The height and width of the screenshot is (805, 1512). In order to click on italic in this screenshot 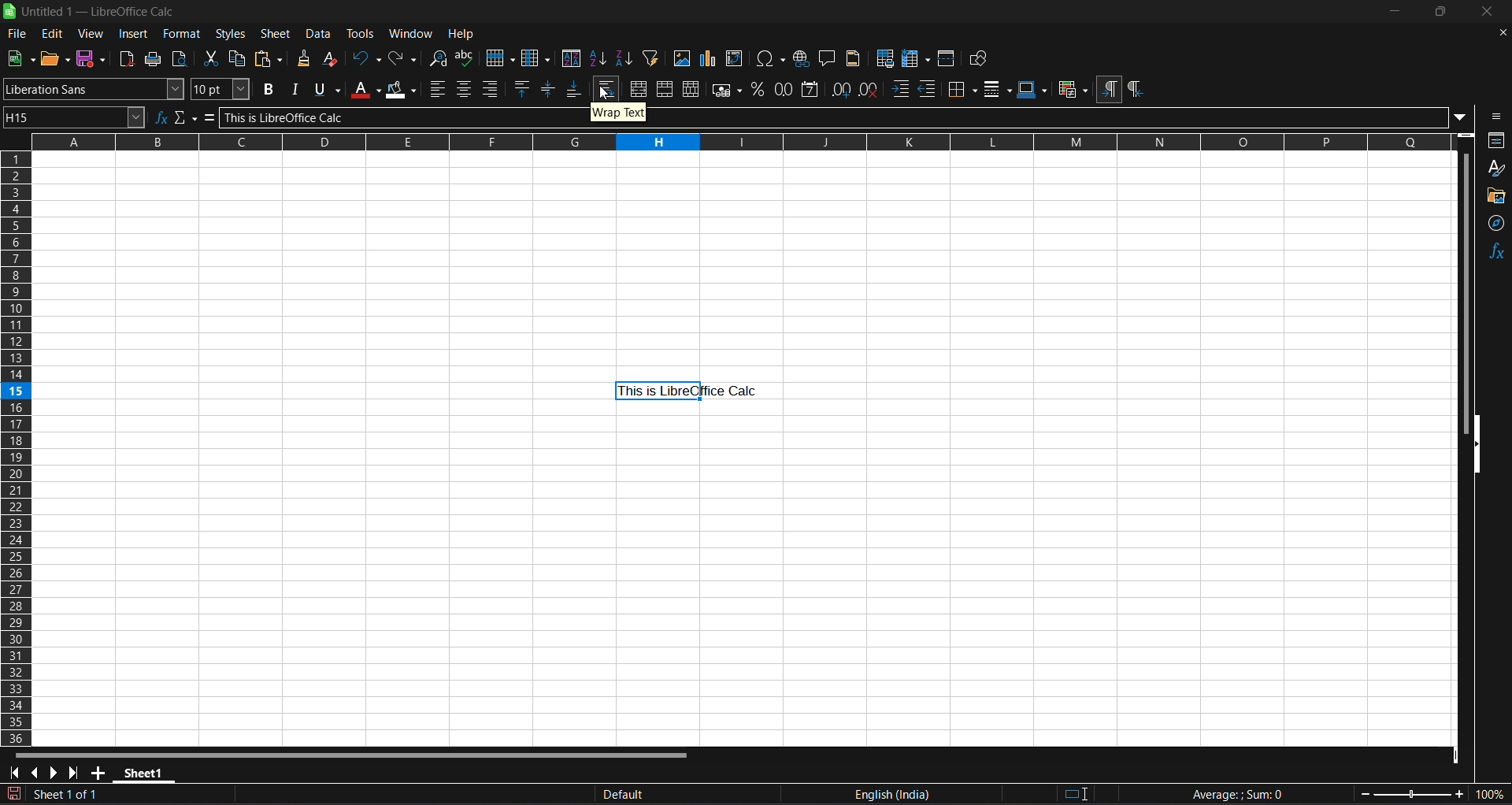, I will do `click(295, 89)`.